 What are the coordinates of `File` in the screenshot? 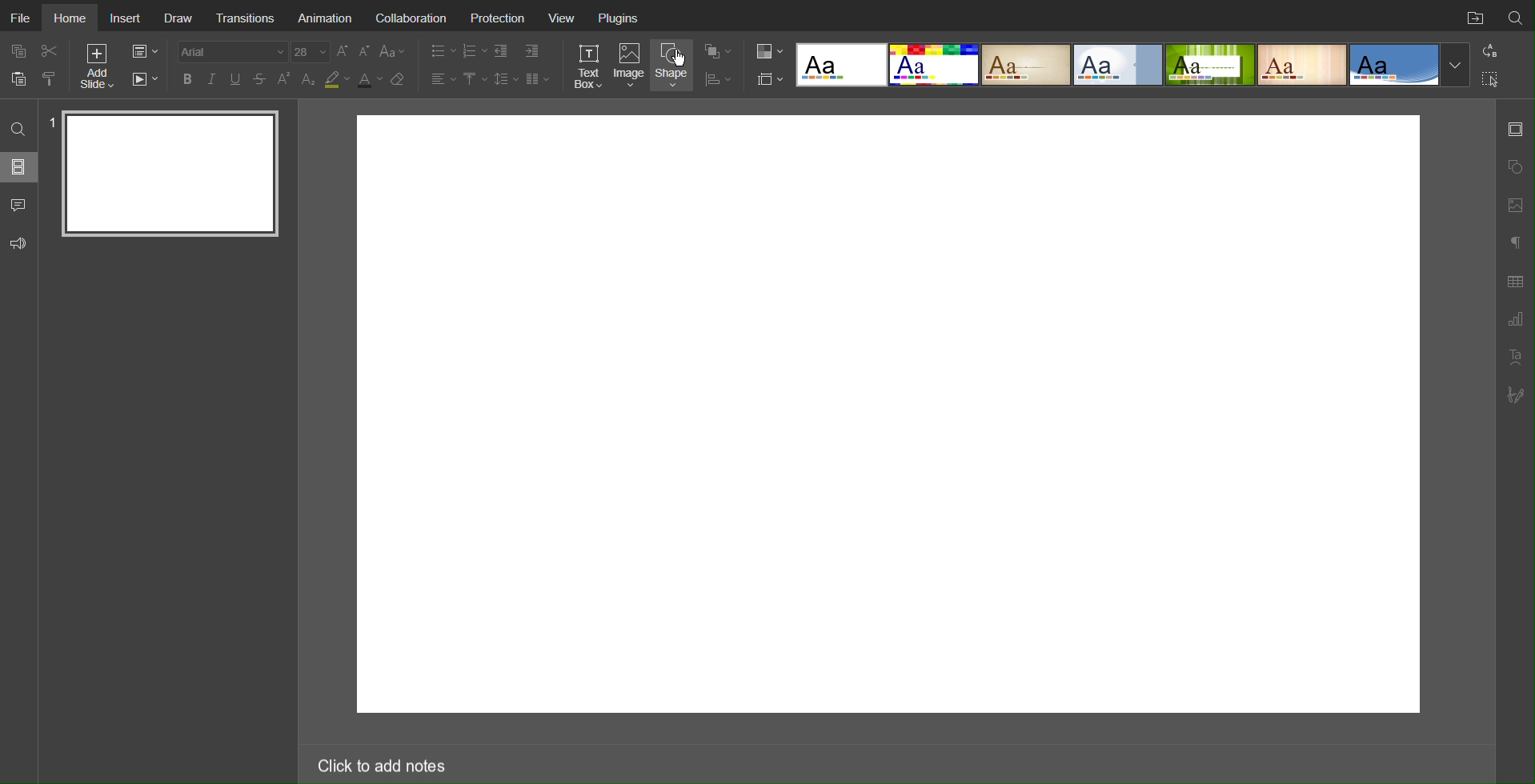 It's located at (22, 18).